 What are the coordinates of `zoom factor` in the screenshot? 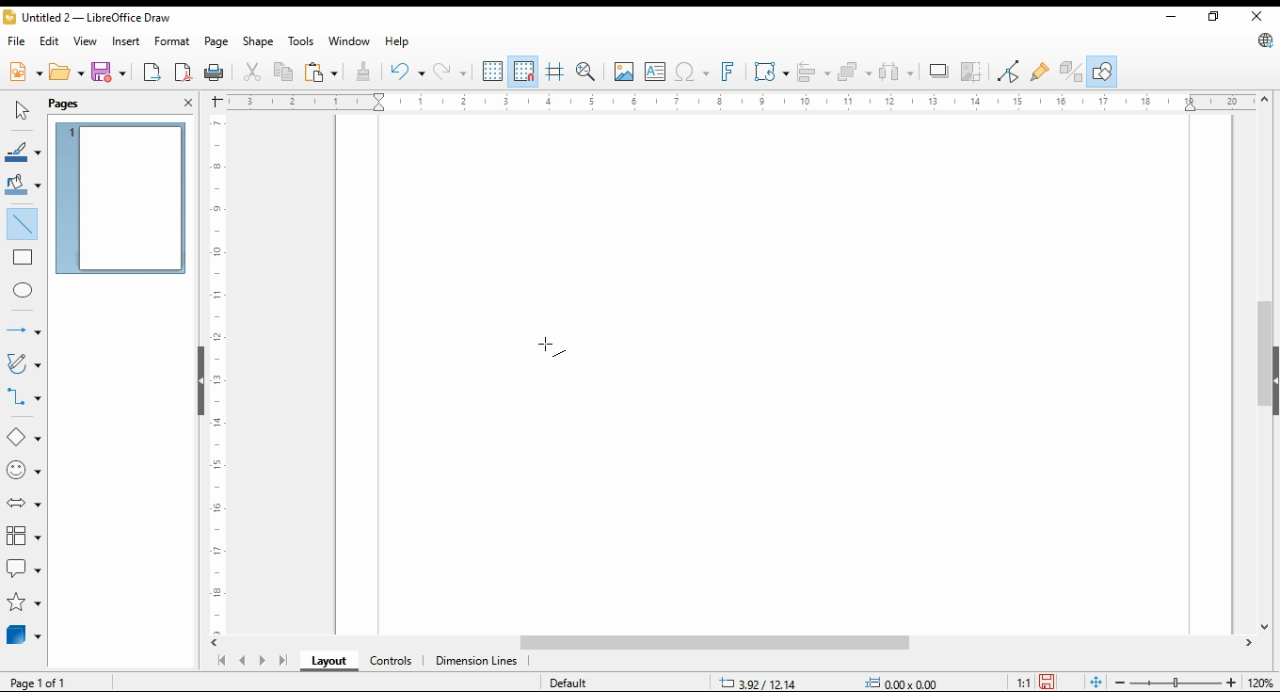 It's located at (1262, 683).